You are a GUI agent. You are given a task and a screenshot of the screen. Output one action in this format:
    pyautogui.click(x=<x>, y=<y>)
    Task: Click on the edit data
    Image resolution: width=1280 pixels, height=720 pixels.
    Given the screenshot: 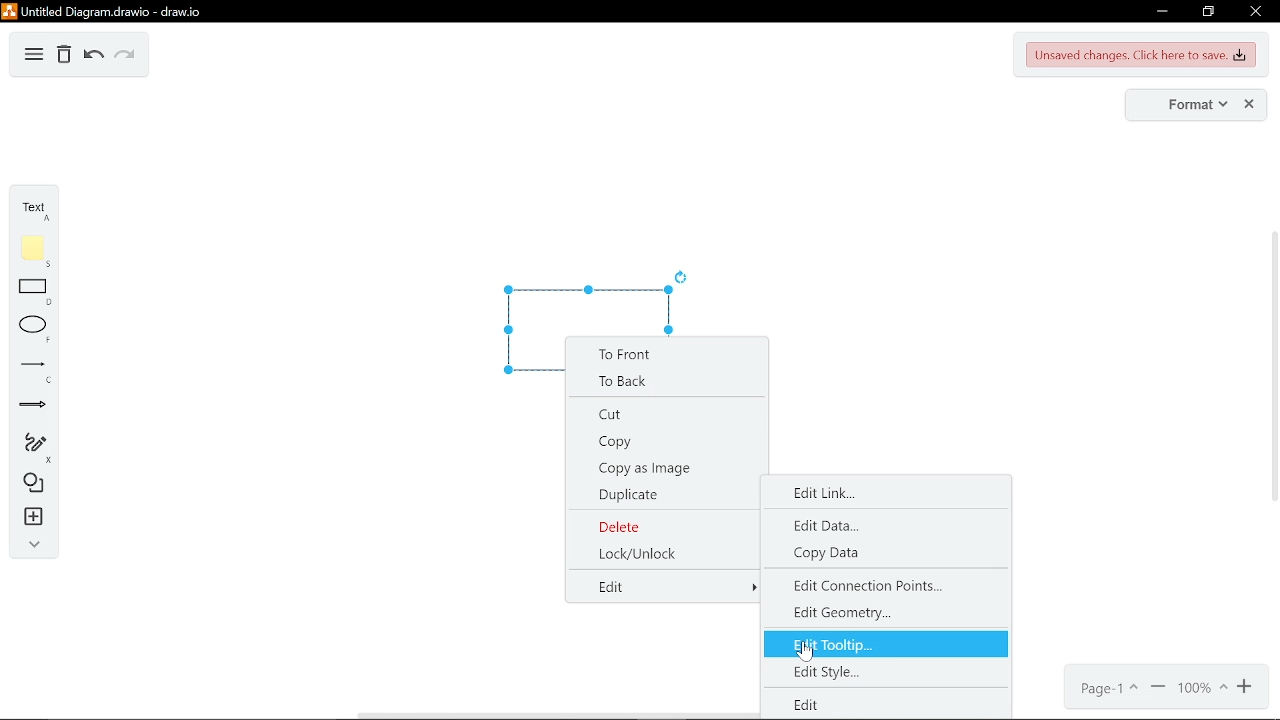 What is the action you would take?
    pyautogui.click(x=825, y=529)
    